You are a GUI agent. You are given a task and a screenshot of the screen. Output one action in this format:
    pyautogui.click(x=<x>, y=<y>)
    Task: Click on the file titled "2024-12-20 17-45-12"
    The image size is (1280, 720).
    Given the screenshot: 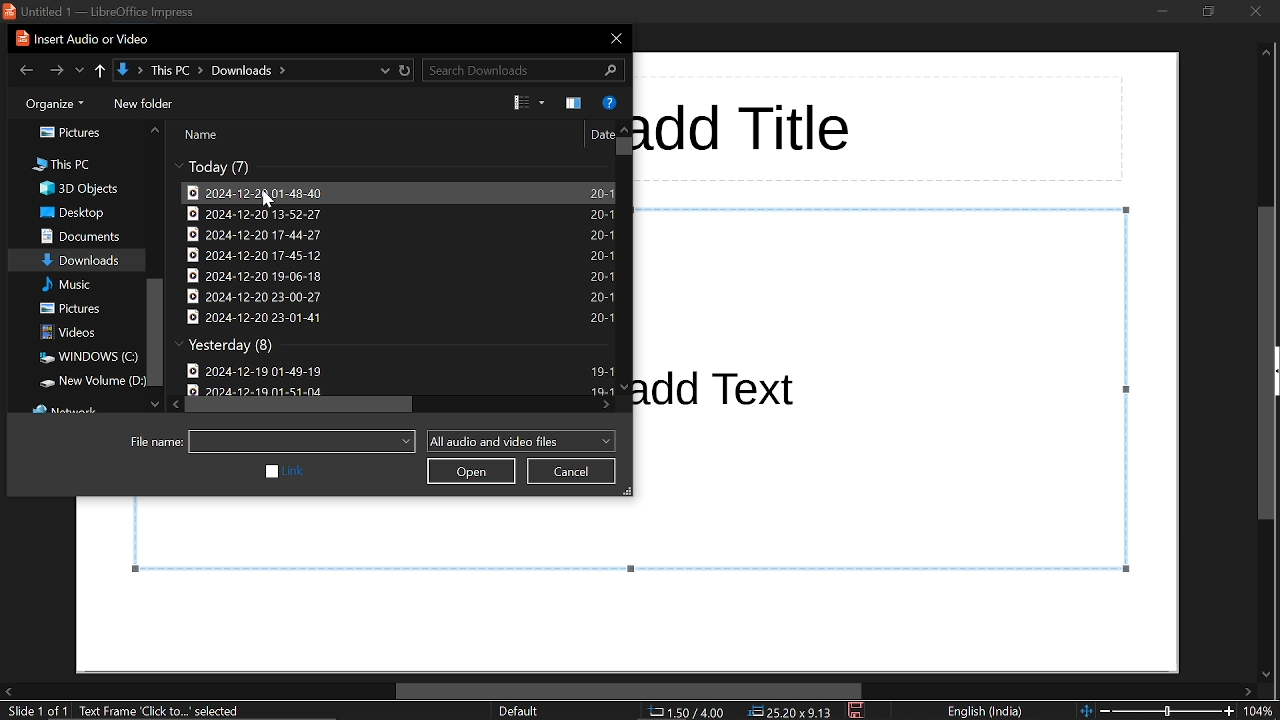 What is the action you would take?
    pyautogui.click(x=395, y=256)
    